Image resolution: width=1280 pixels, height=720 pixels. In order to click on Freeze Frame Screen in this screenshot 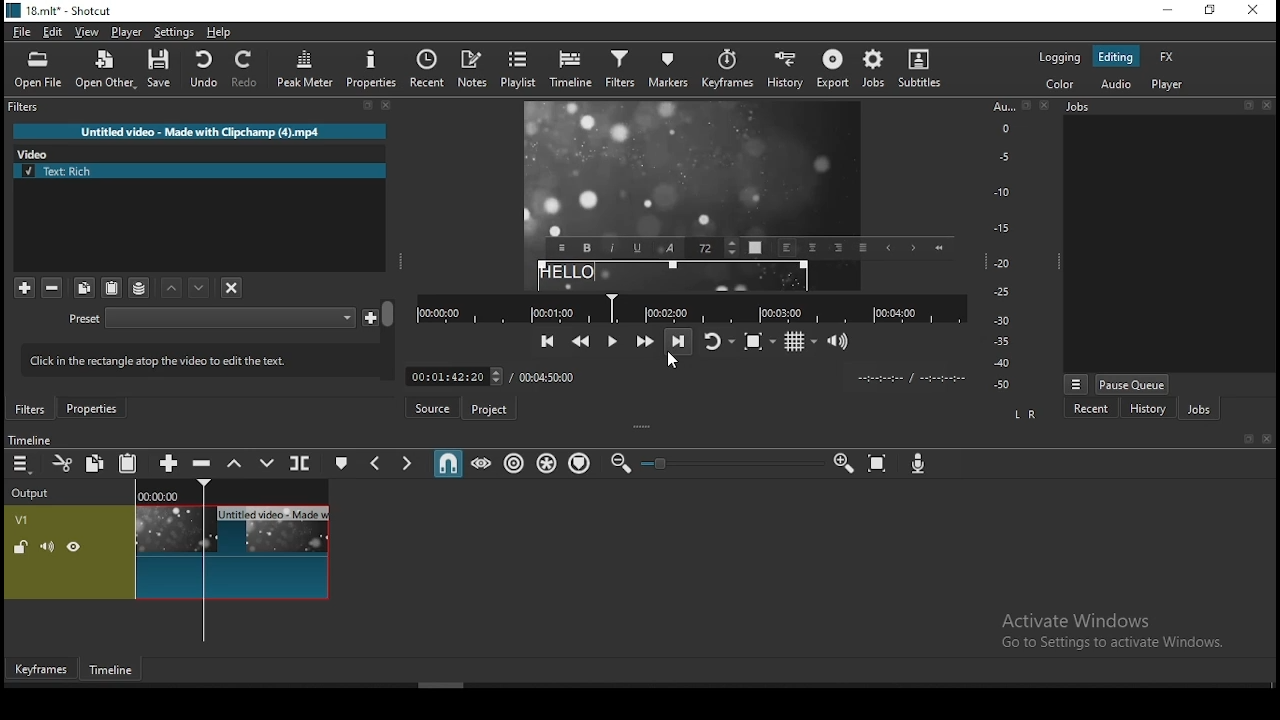, I will do `click(694, 169)`.